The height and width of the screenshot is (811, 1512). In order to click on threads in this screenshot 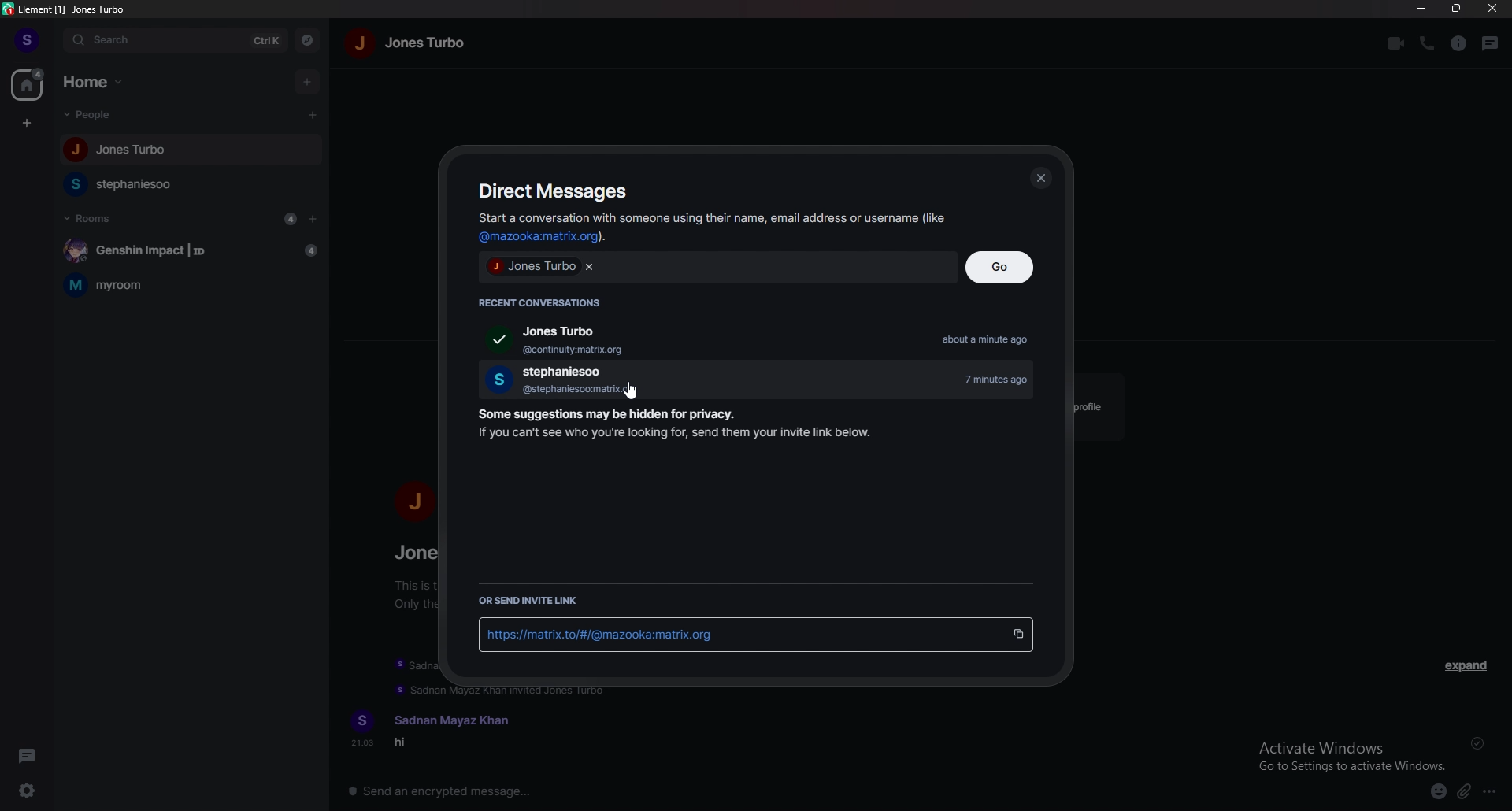, I will do `click(1491, 44)`.